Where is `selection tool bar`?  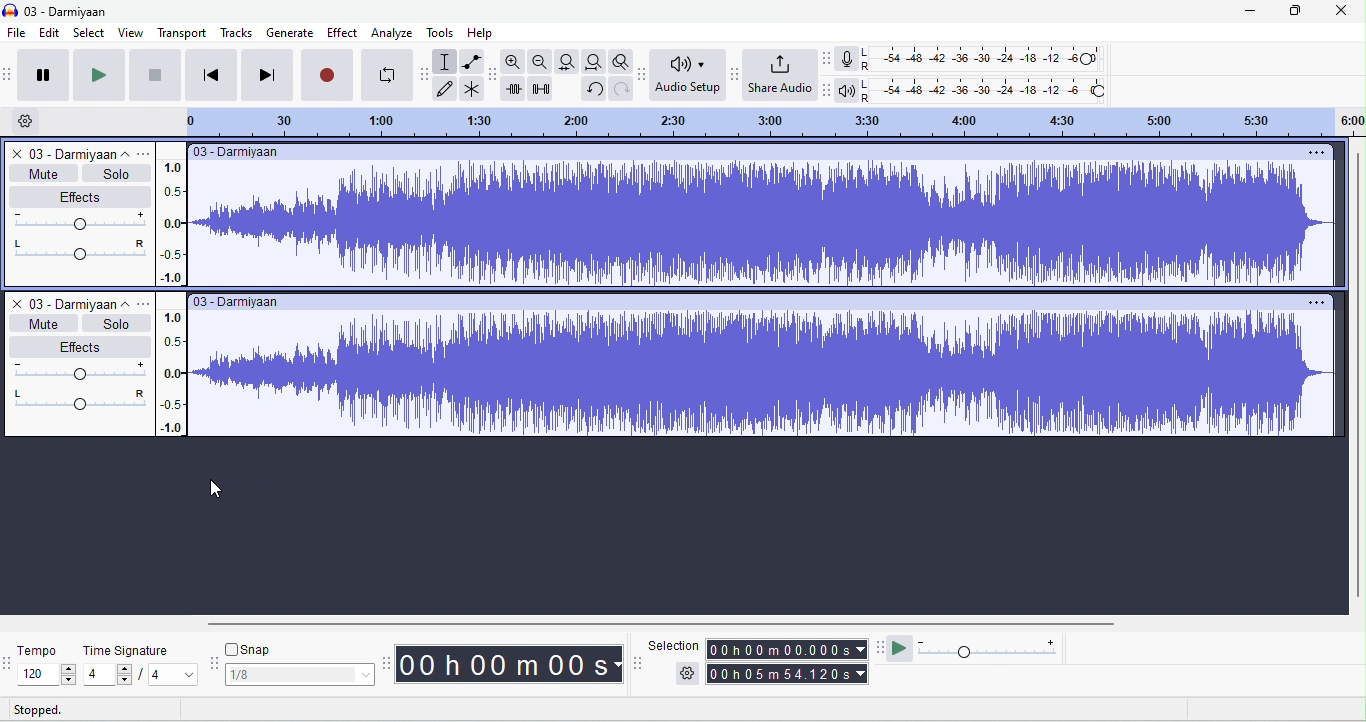
selection tool bar is located at coordinates (639, 663).